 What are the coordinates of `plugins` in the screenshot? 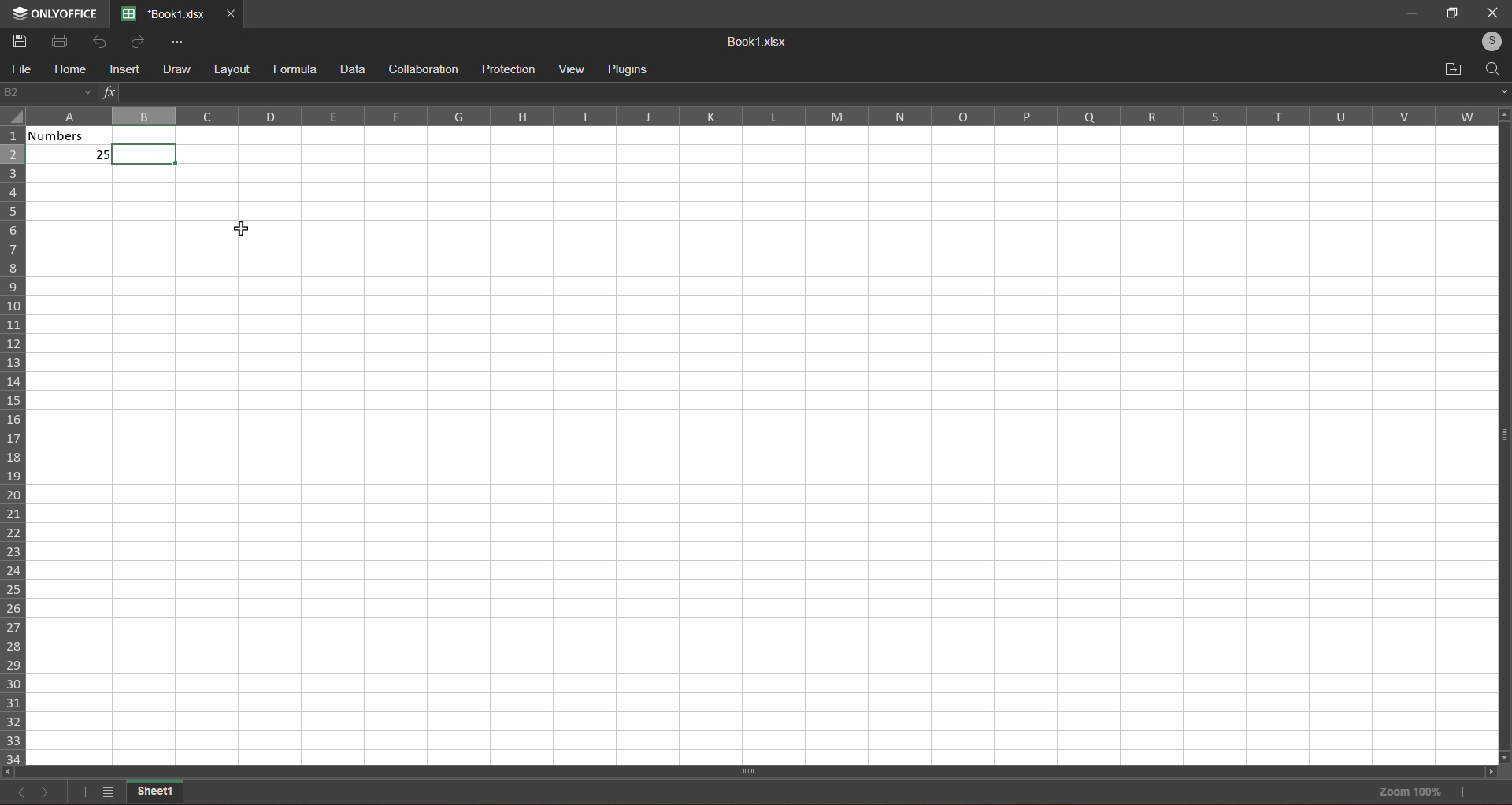 It's located at (632, 67).